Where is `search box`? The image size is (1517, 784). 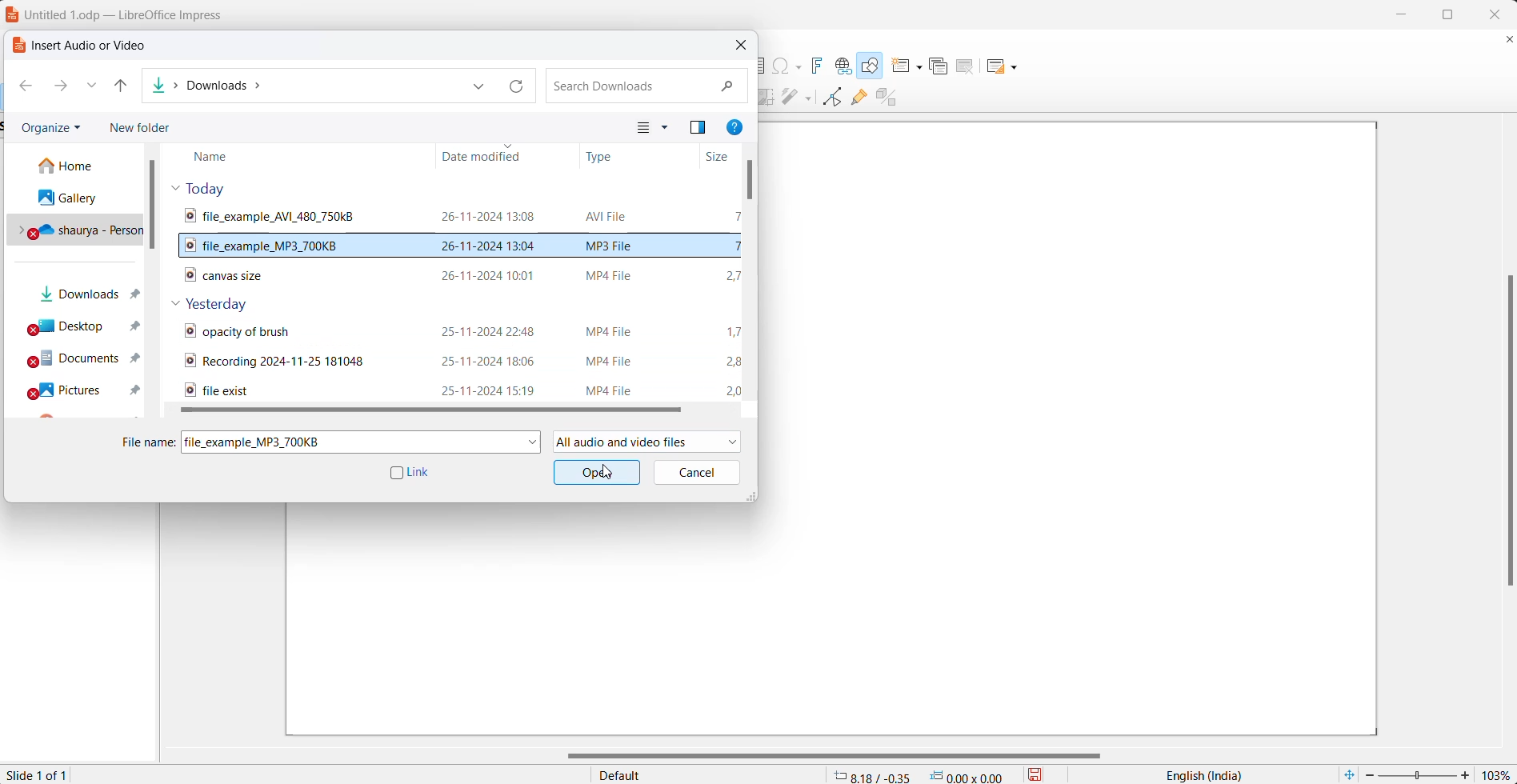
search box is located at coordinates (649, 85).